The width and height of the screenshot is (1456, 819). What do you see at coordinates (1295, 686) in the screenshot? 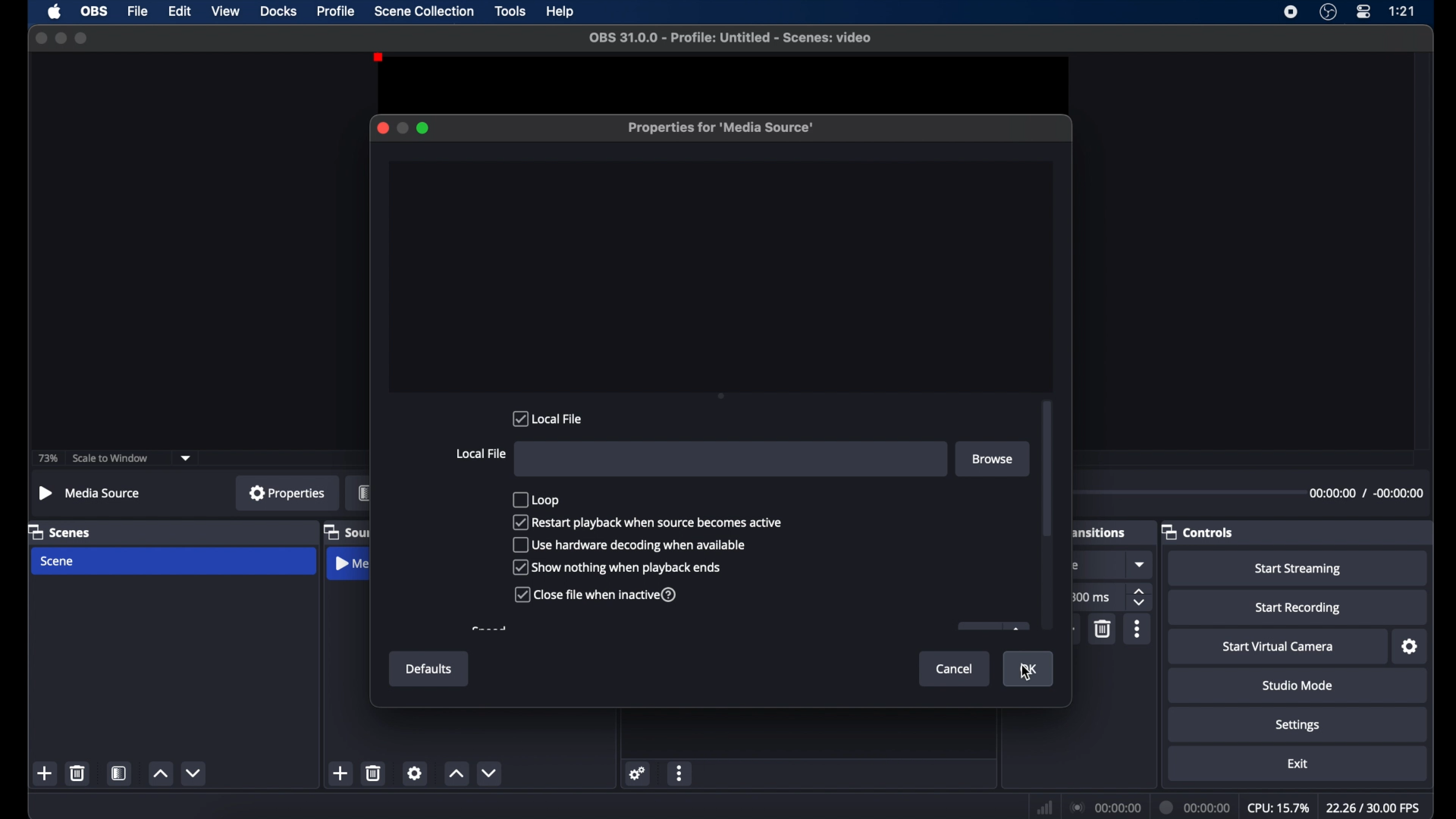
I see `studio mode` at bounding box center [1295, 686].